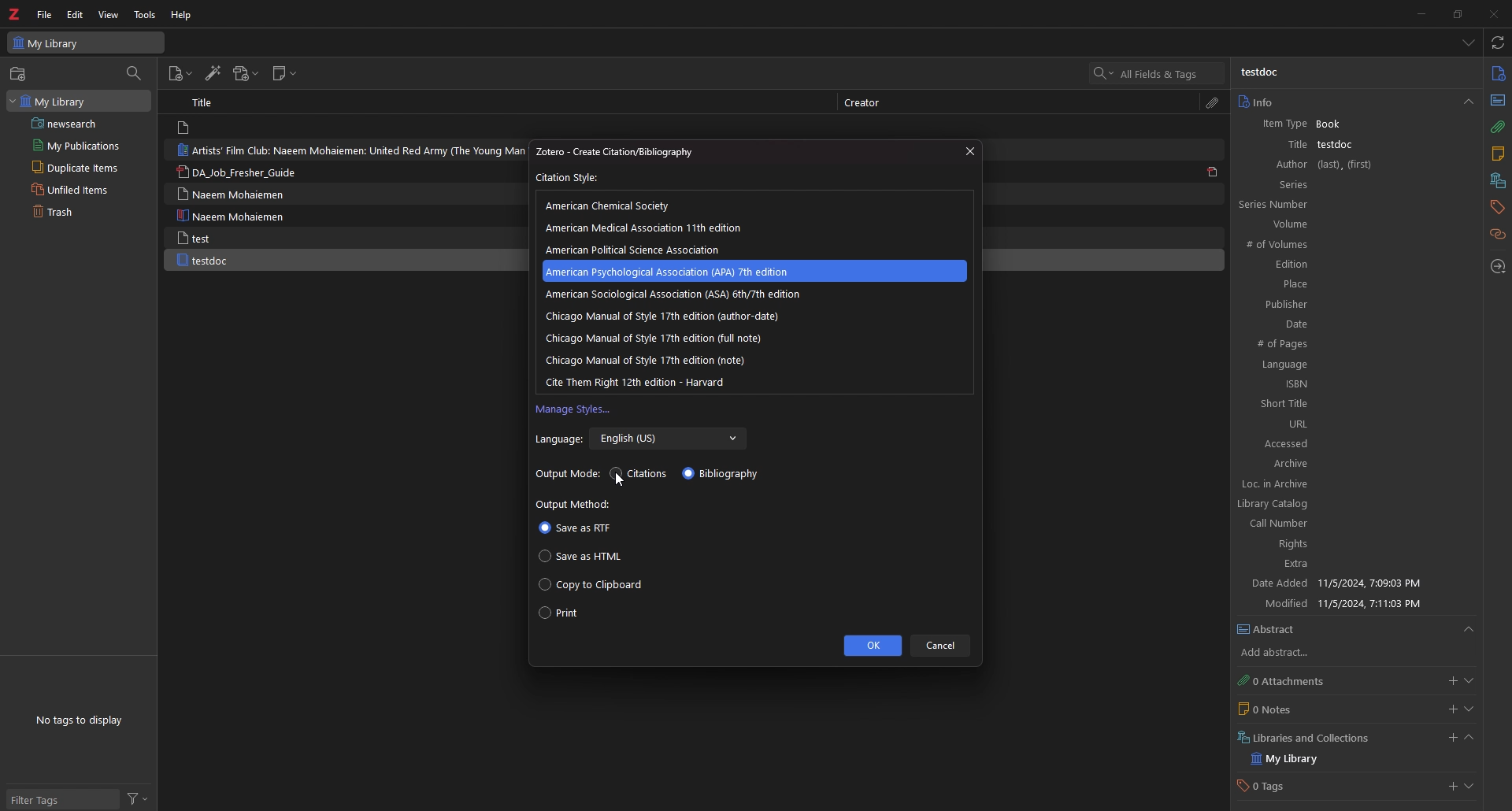  What do you see at coordinates (235, 216) in the screenshot?
I see `Naeem Mohaiemen` at bounding box center [235, 216].